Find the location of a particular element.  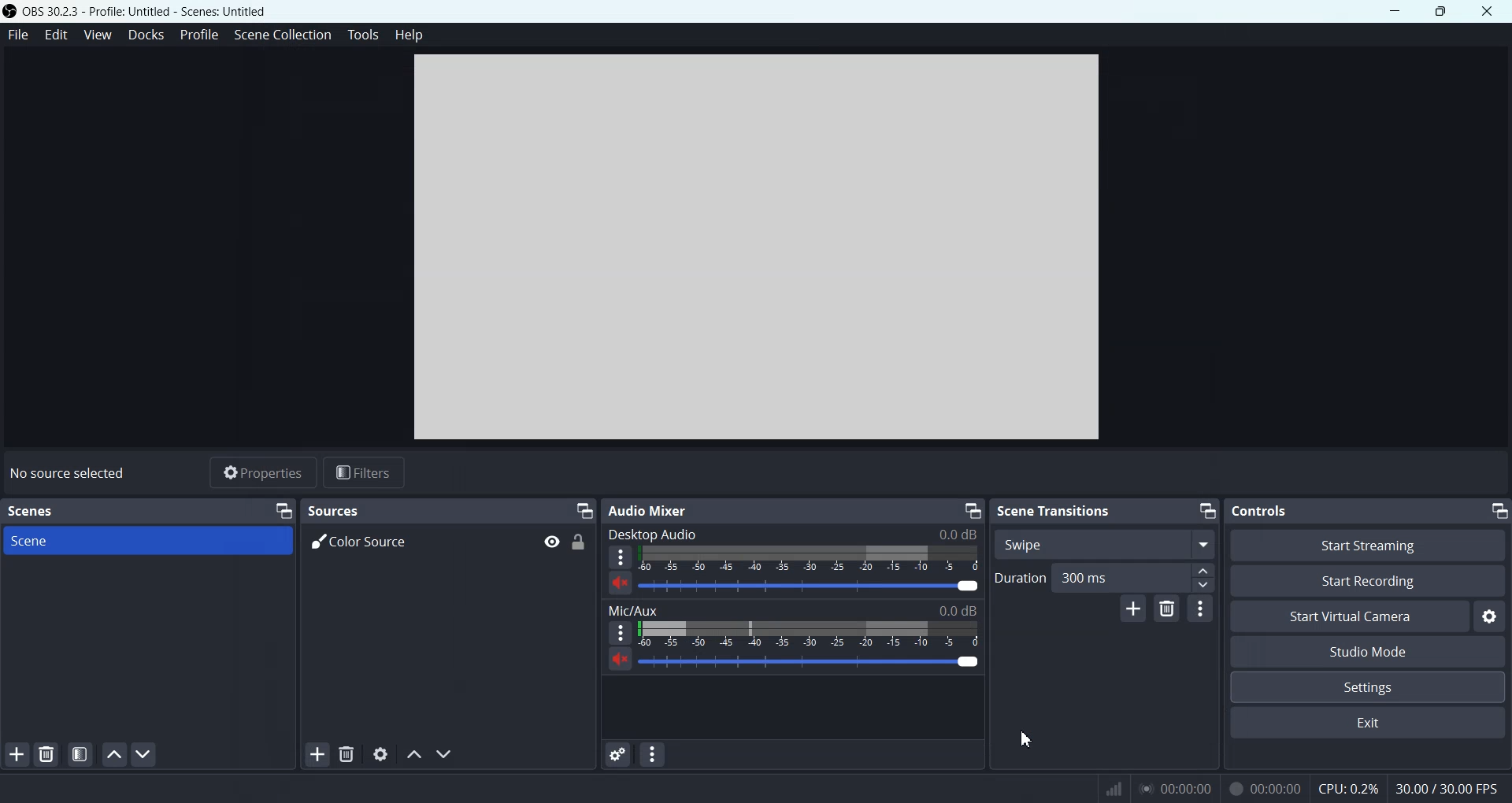

Text is located at coordinates (1454, 786).